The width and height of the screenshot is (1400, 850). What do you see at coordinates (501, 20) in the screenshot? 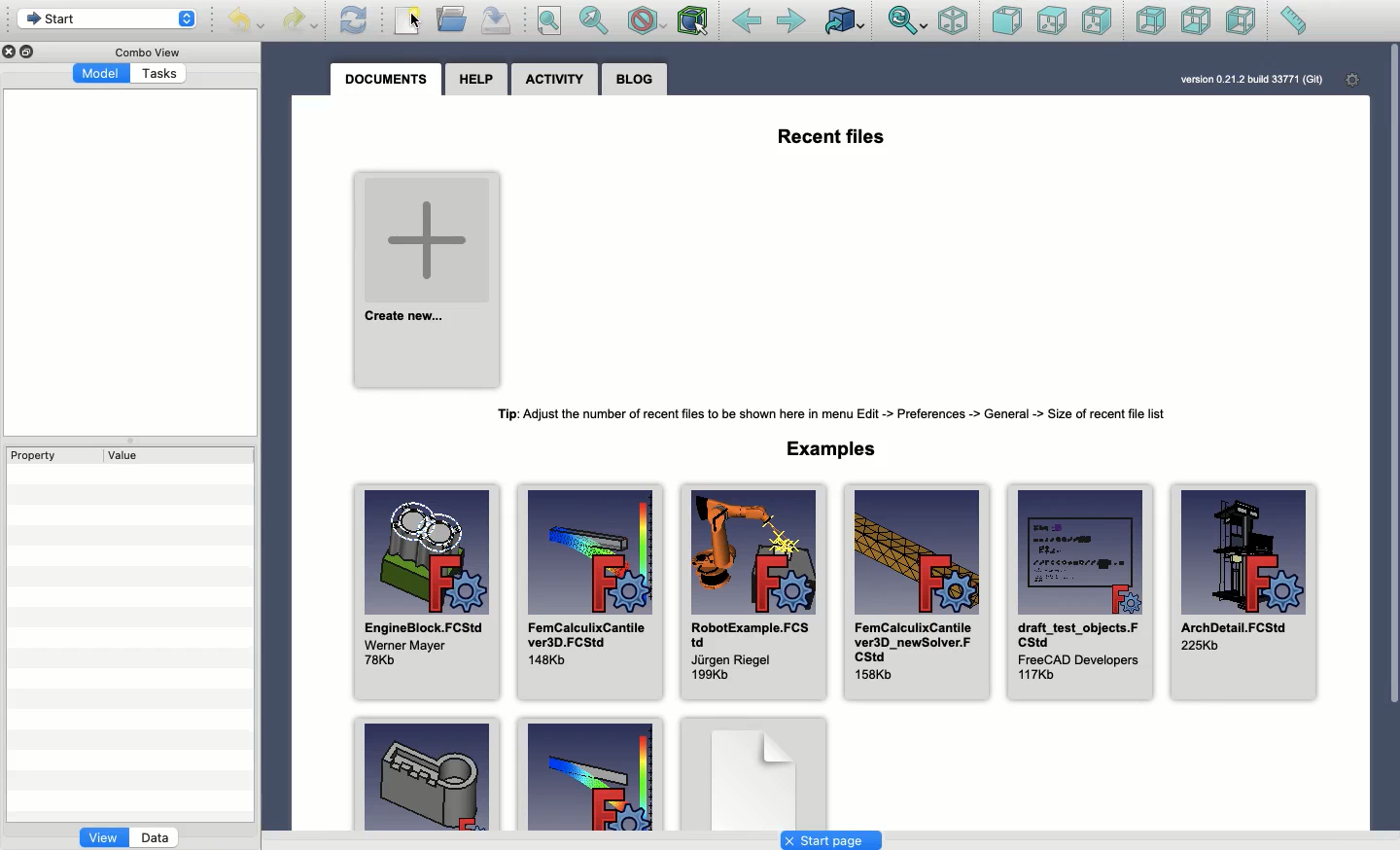
I see `Save` at bounding box center [501, 20].